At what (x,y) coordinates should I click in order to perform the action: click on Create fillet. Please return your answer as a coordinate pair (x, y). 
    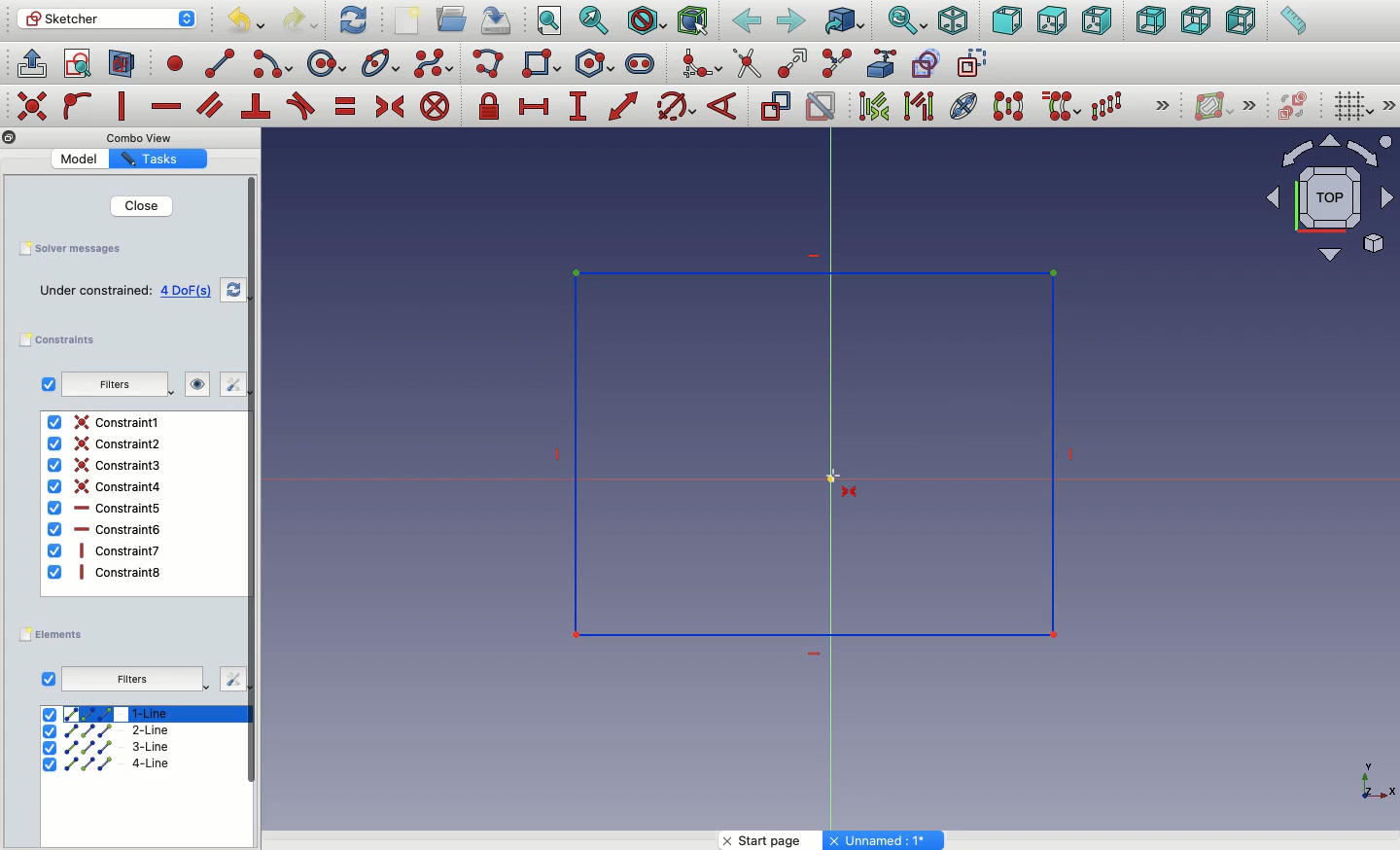
    Looking at the image, I should click on (700, 65).